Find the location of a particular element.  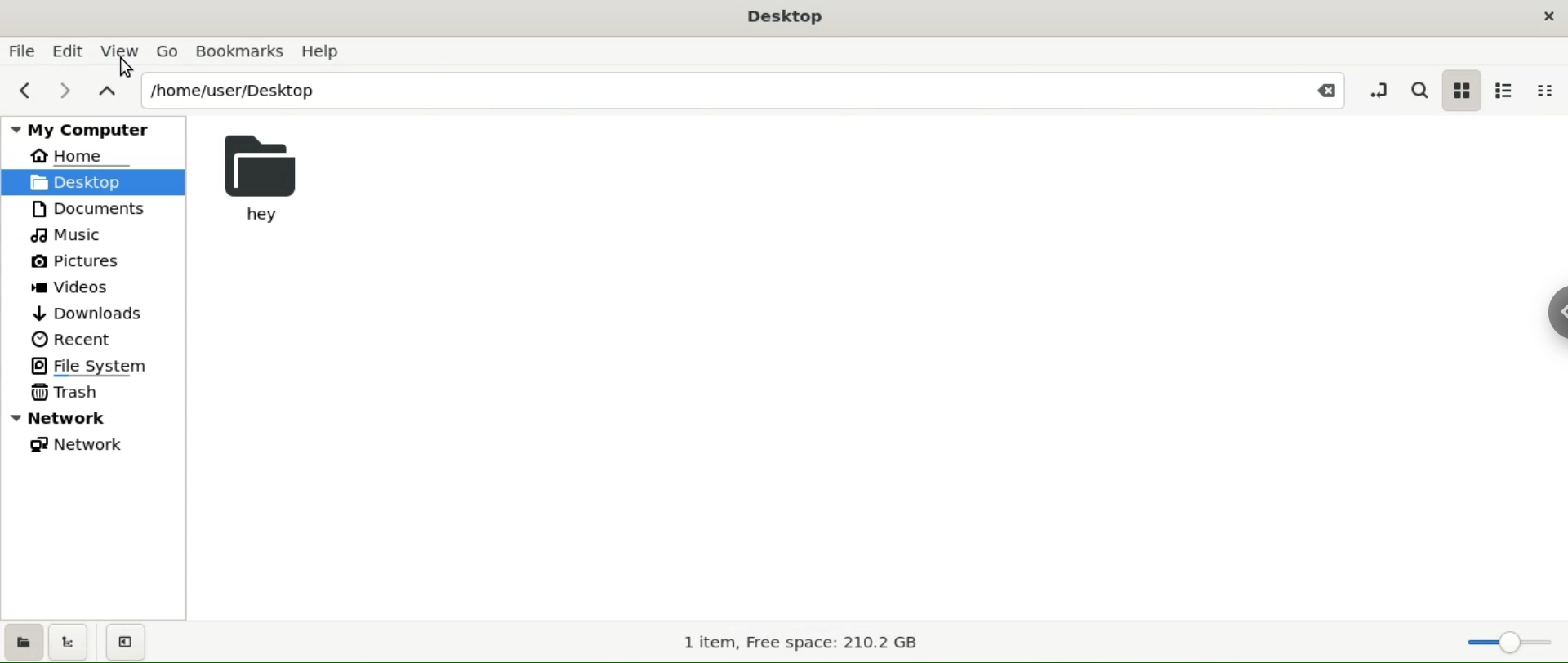

network is located at coordinates (84, 446).